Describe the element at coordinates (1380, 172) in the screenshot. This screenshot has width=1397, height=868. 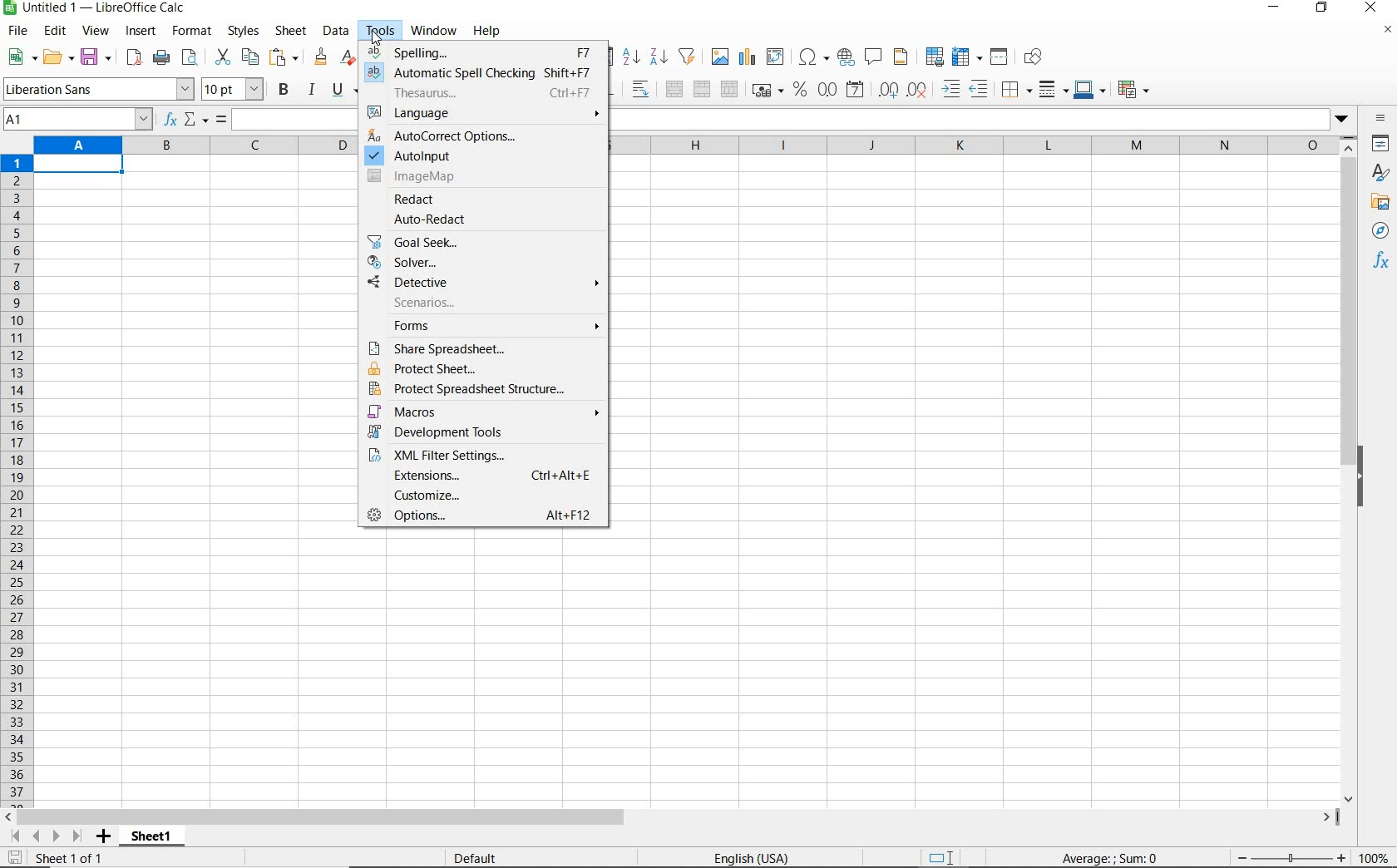
I see `STYLES` at that location.